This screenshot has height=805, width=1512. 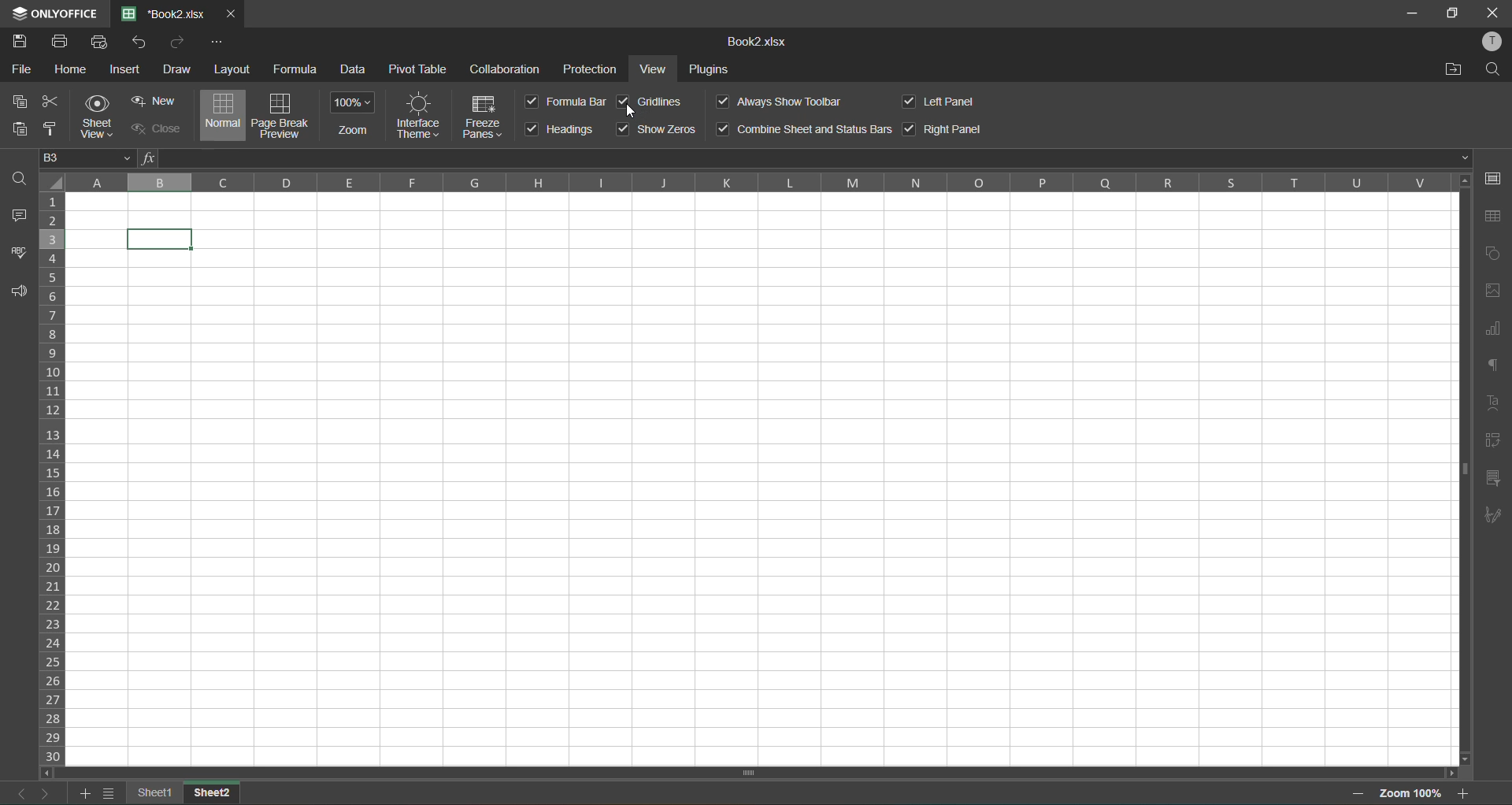 What do you see at coordinates (654, 102) in the screenshot?
I see `gridlines` at bounding box center [654, 102].